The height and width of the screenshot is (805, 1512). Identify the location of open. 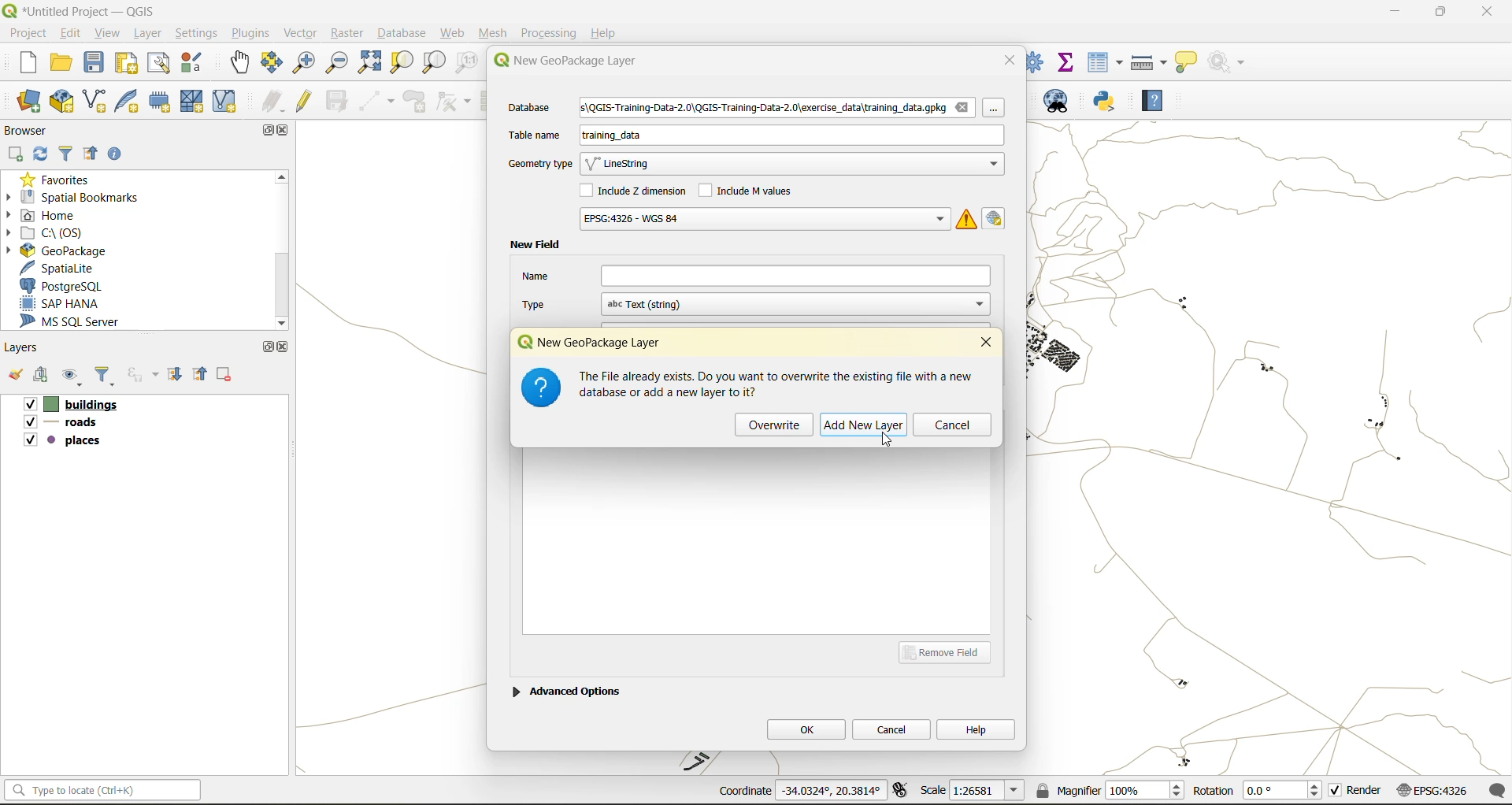
(14, 378).